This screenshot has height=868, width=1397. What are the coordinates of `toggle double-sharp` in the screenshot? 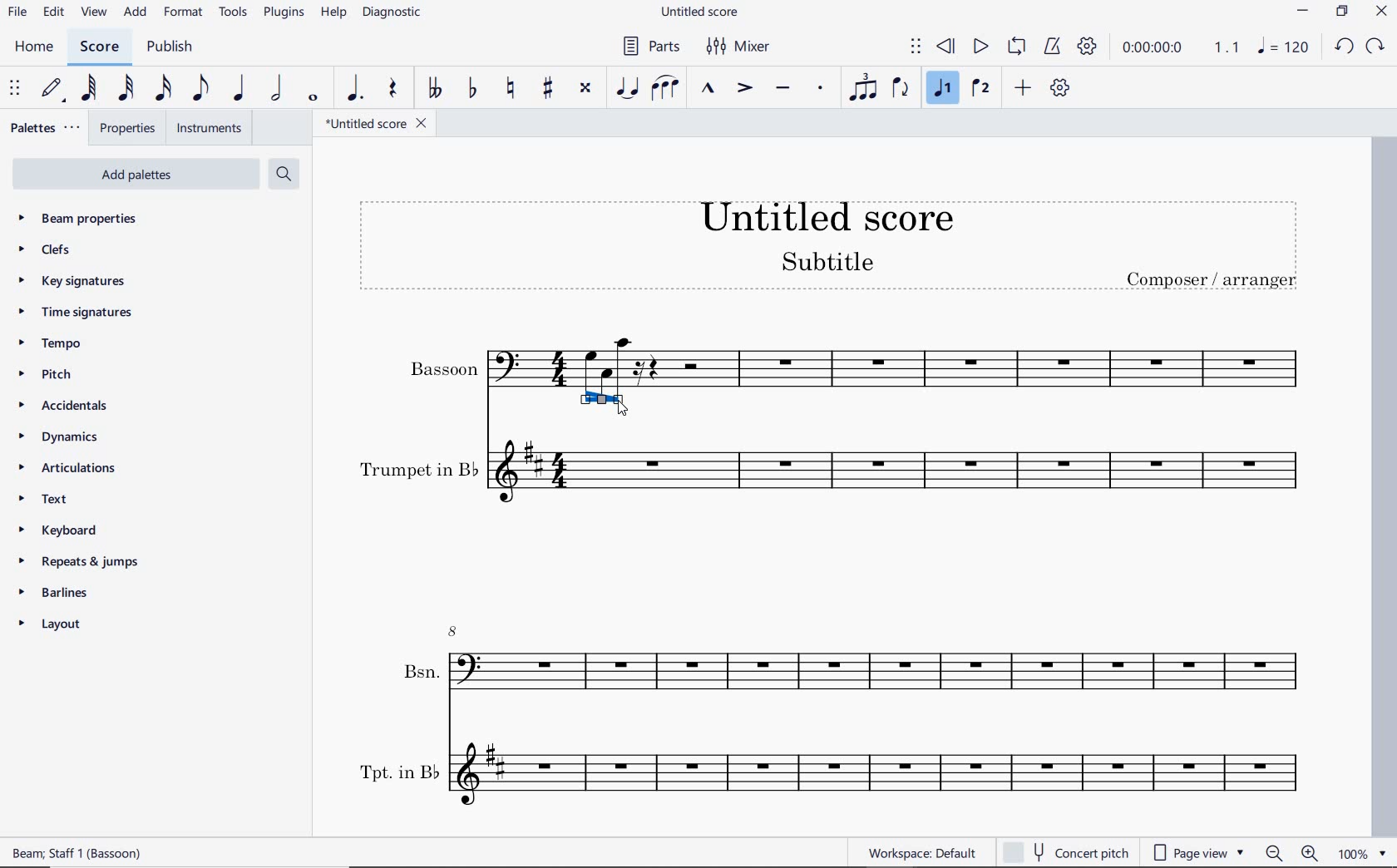 It's located at (586, 88).